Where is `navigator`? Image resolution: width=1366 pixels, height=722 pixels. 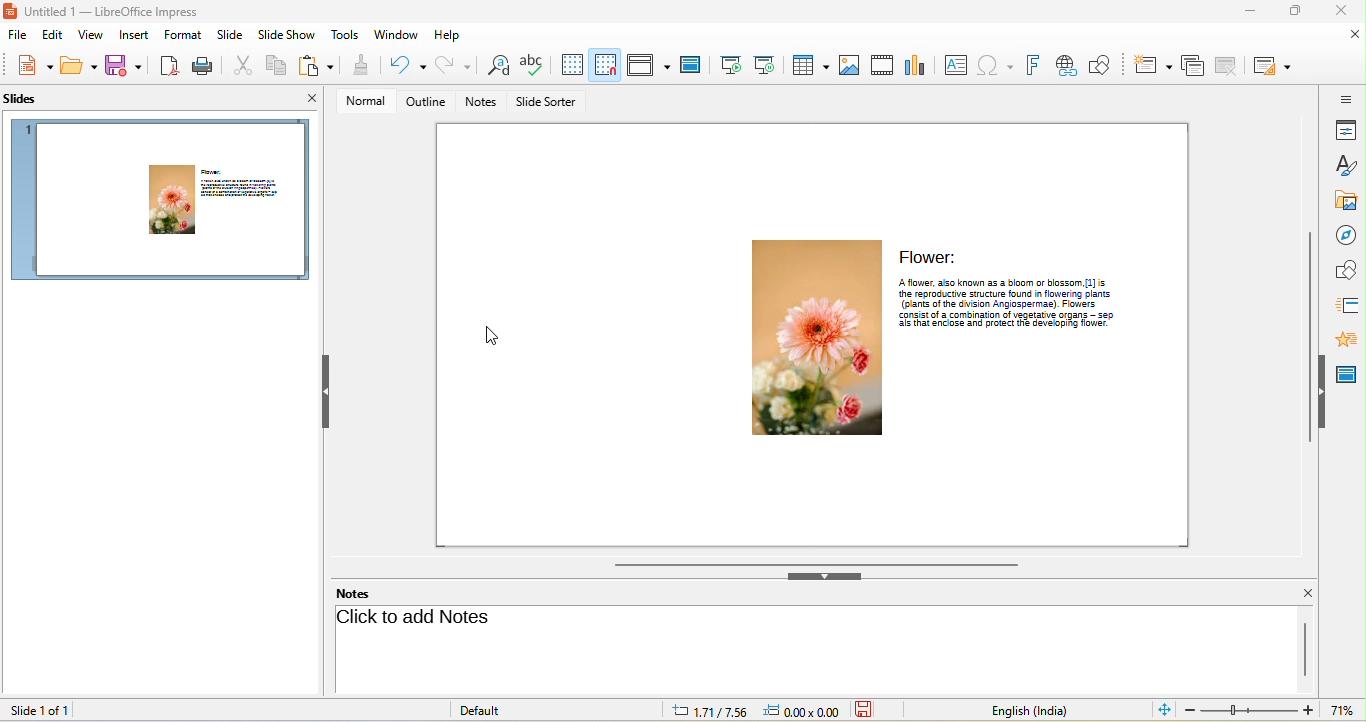 navigator is located at coordinates (1348, 232).